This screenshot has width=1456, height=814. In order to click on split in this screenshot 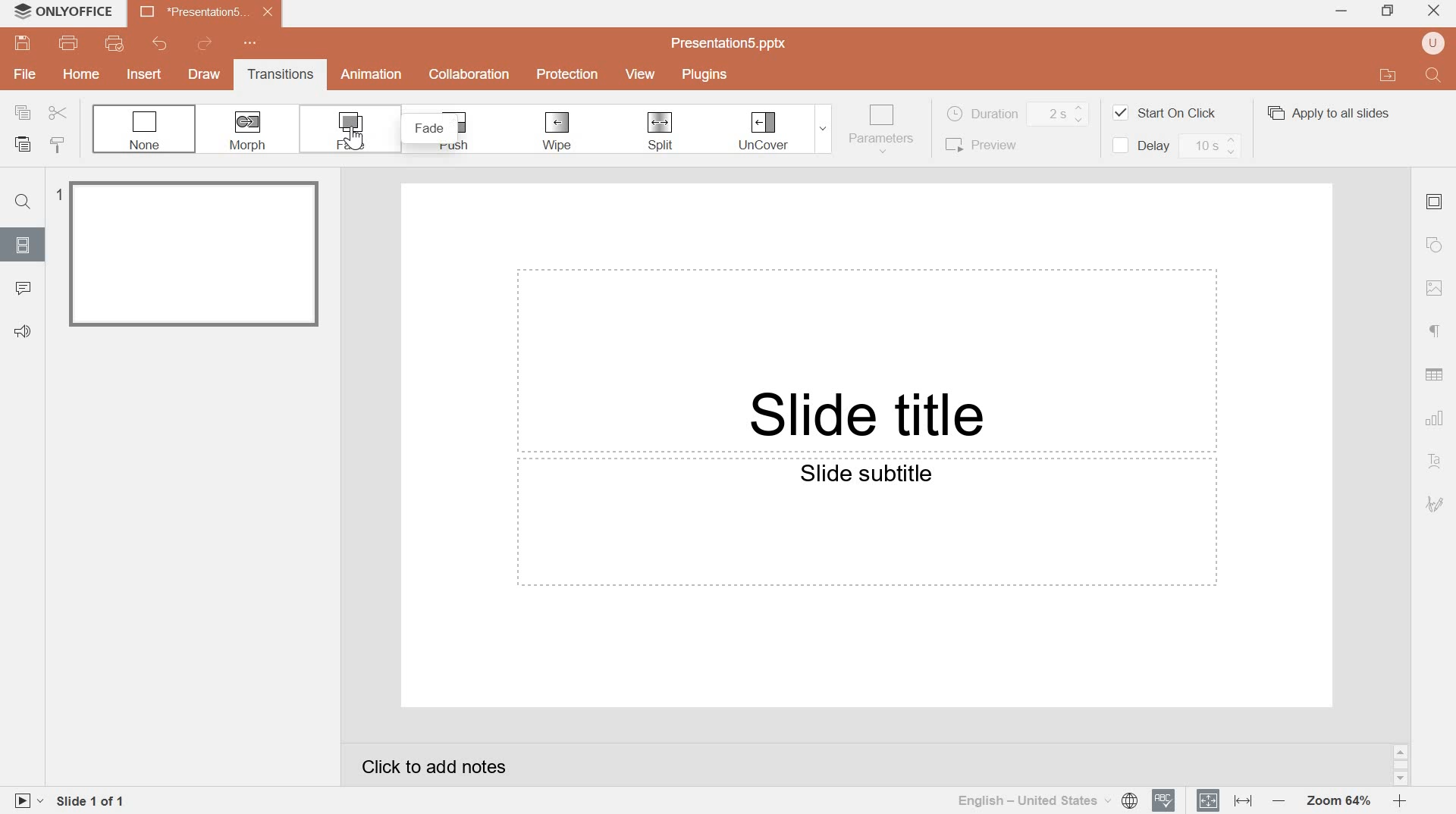, I will do `click(659, 131)`.